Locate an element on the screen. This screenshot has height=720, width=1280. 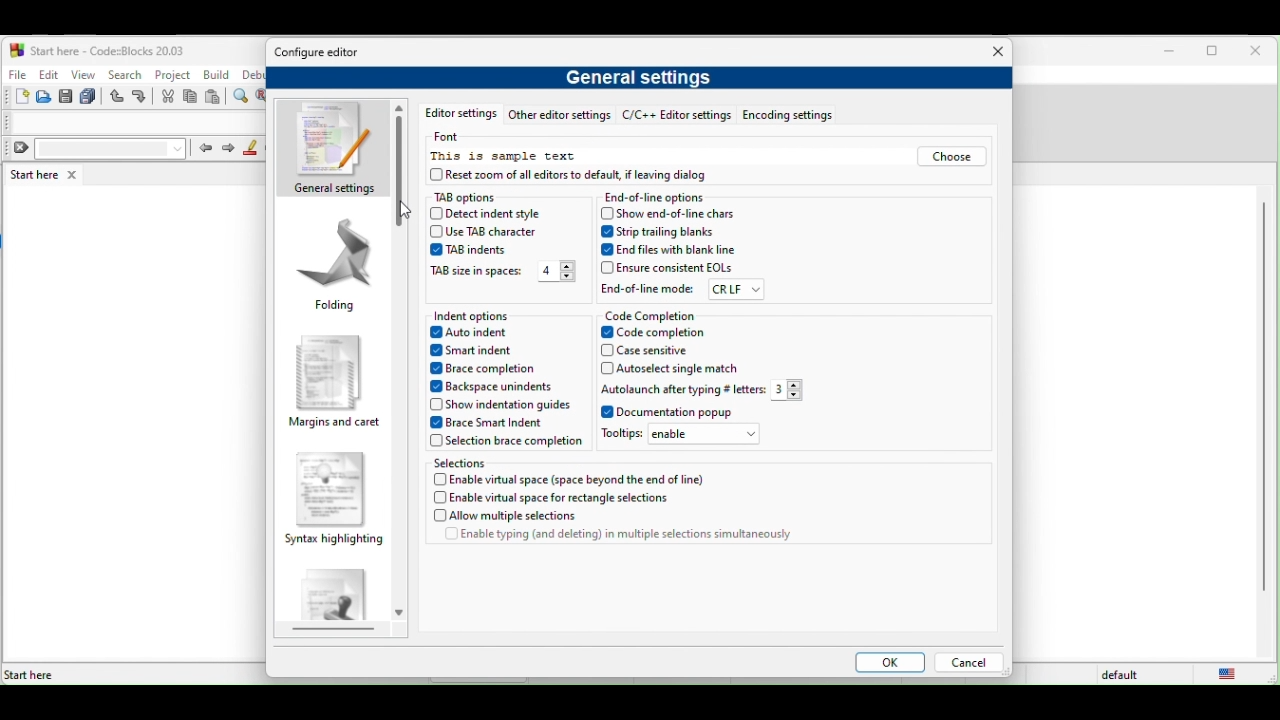
cancel is located at coordinates (968, 664).